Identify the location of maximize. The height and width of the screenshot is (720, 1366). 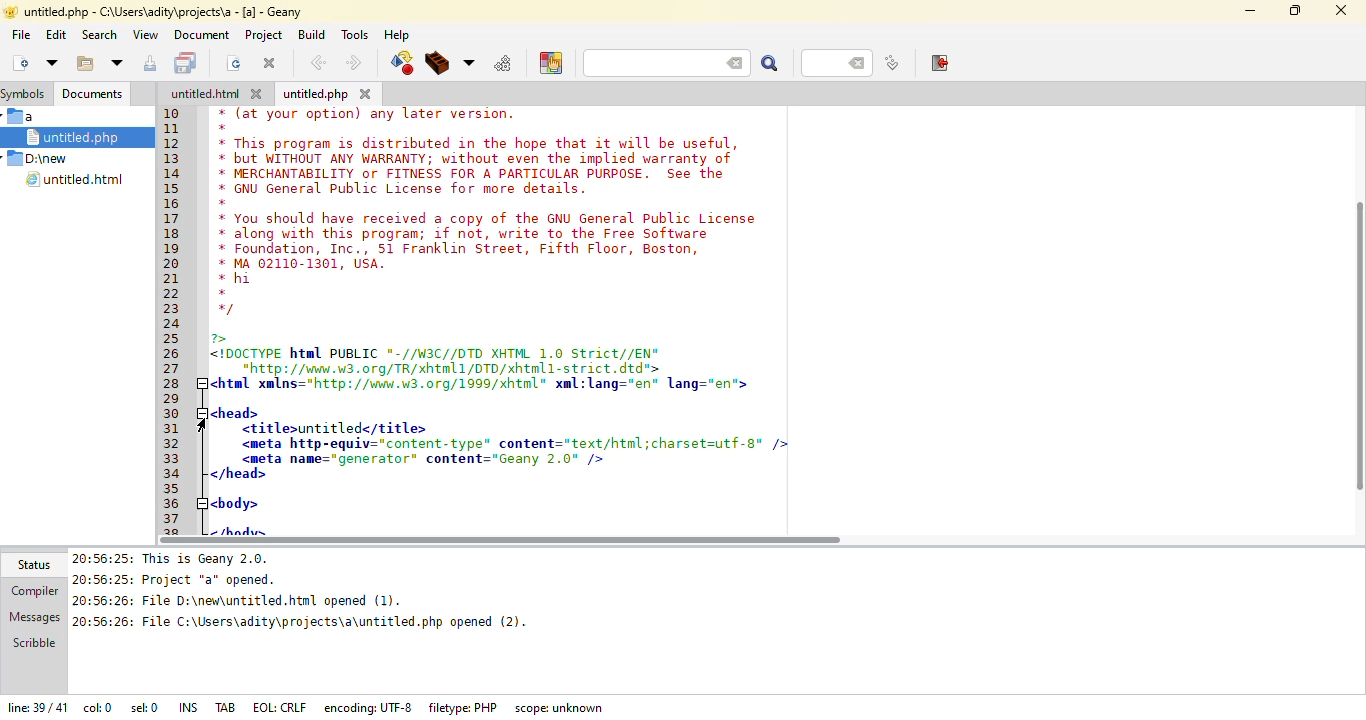
(1295, 9).